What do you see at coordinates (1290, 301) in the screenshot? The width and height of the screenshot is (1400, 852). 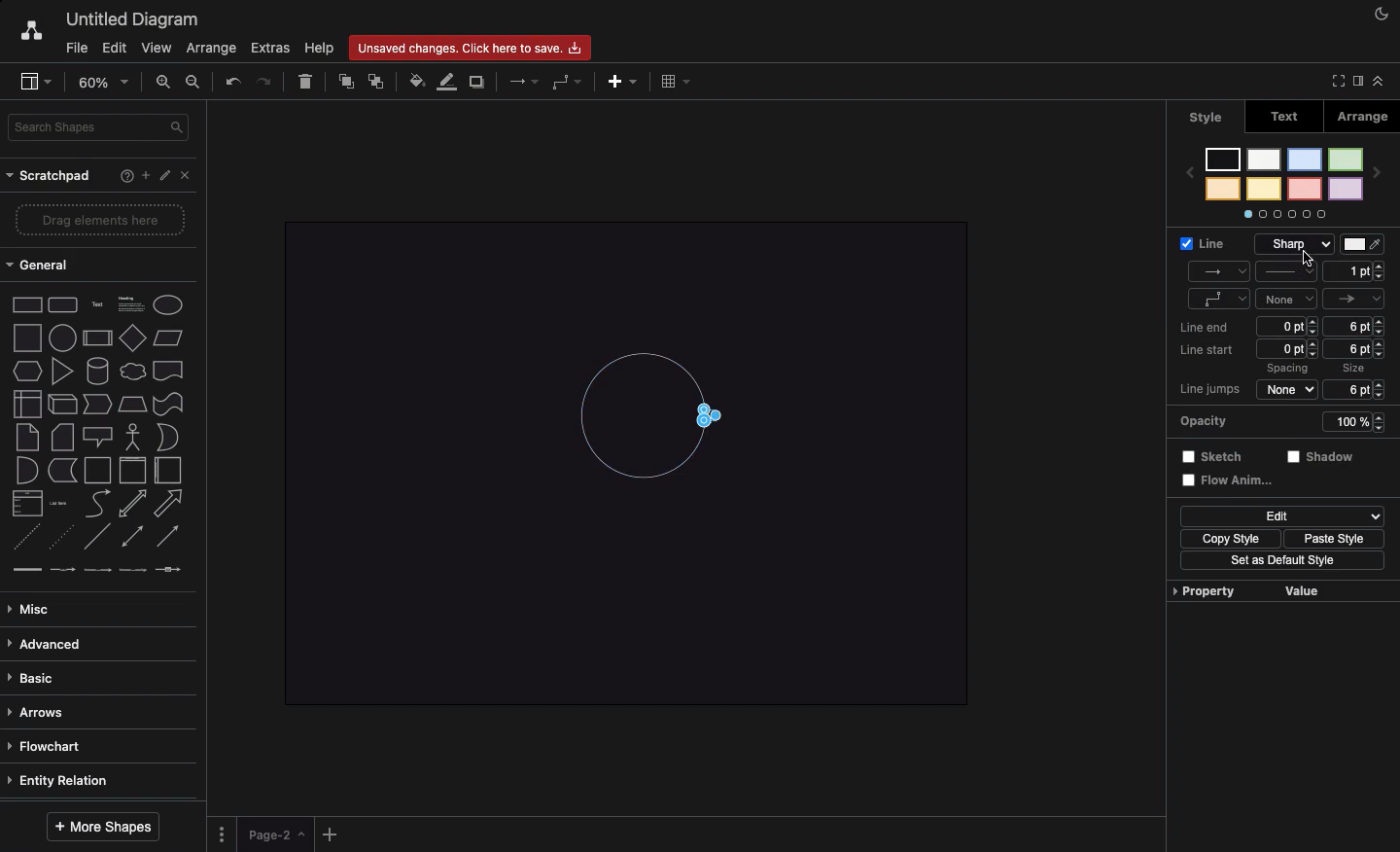 I see `None` at bounding box center [1290, 301].